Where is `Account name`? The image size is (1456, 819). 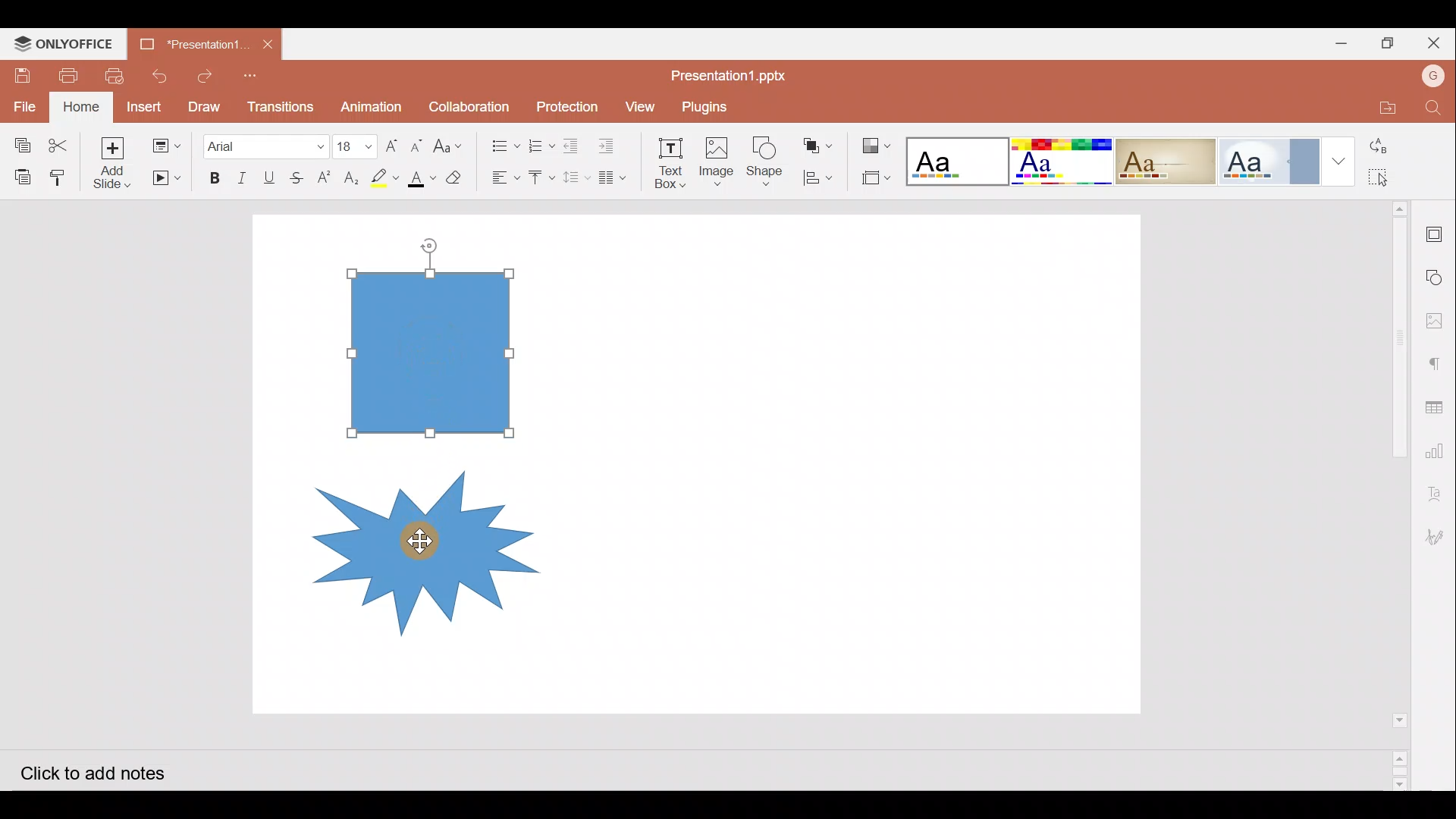
Account name is located at coordinates (1433, 78).